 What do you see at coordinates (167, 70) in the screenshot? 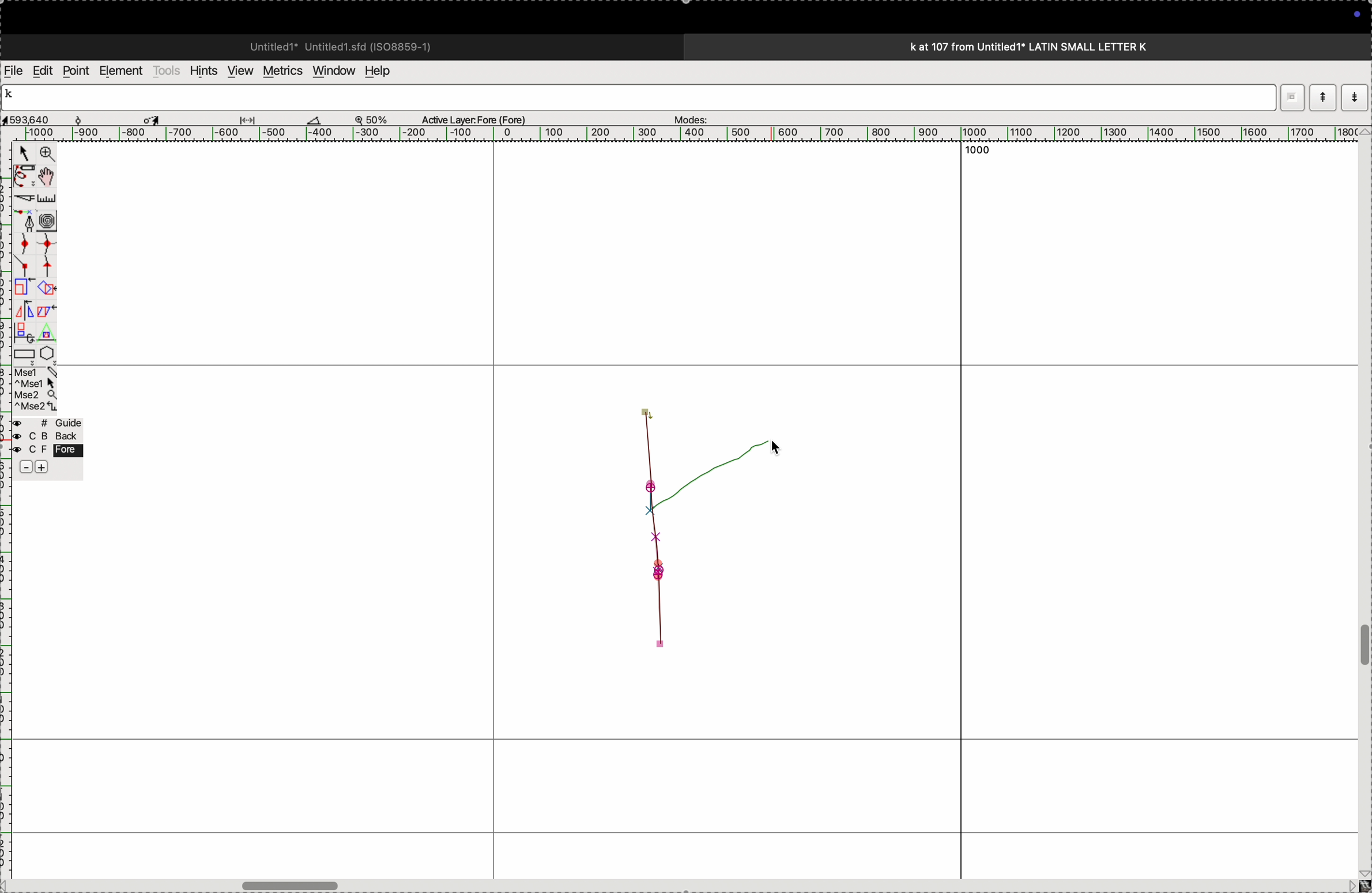
I see `tools` at bounding box center [167, 70].